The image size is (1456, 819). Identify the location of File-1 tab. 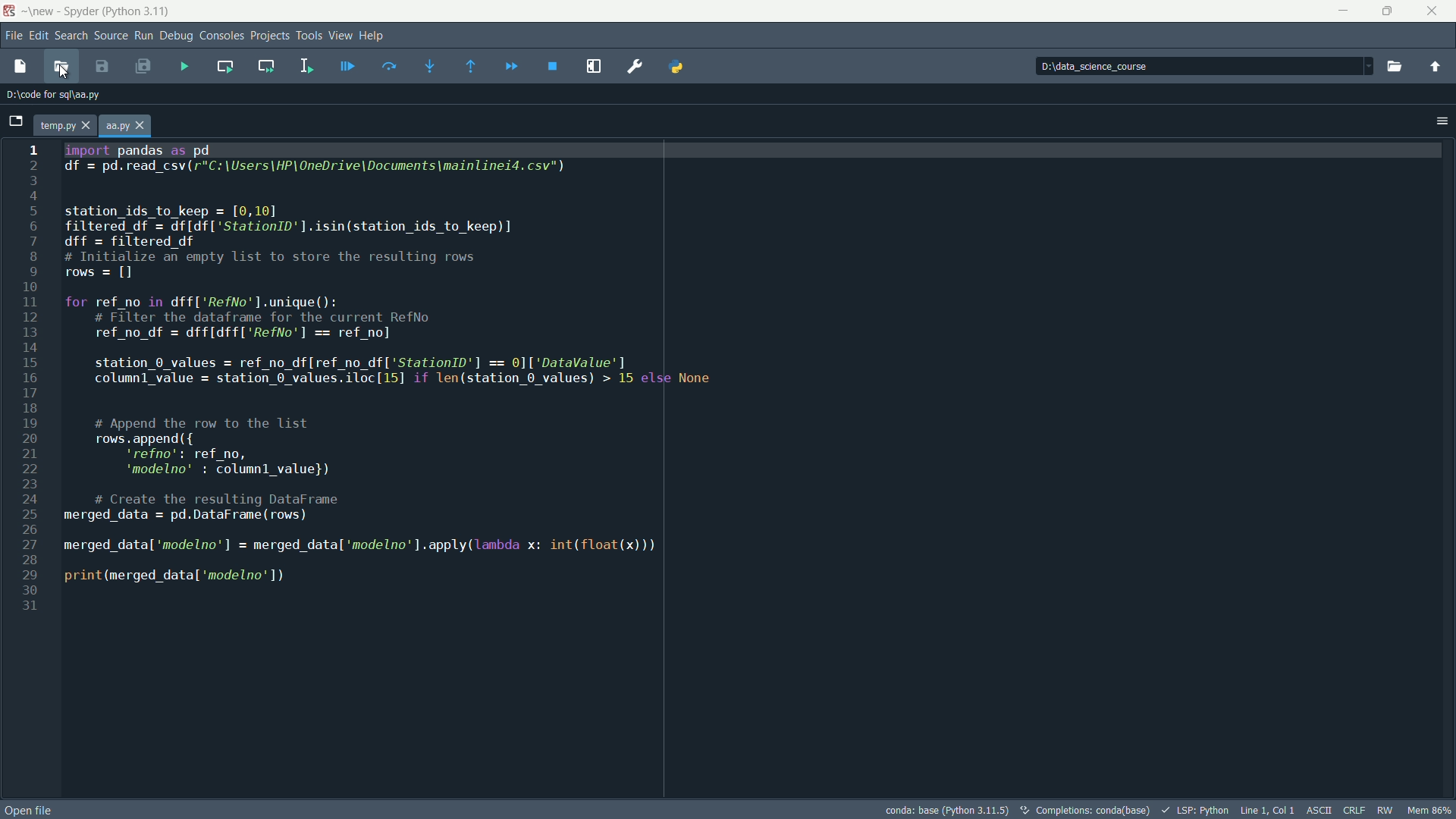
(65, 125).